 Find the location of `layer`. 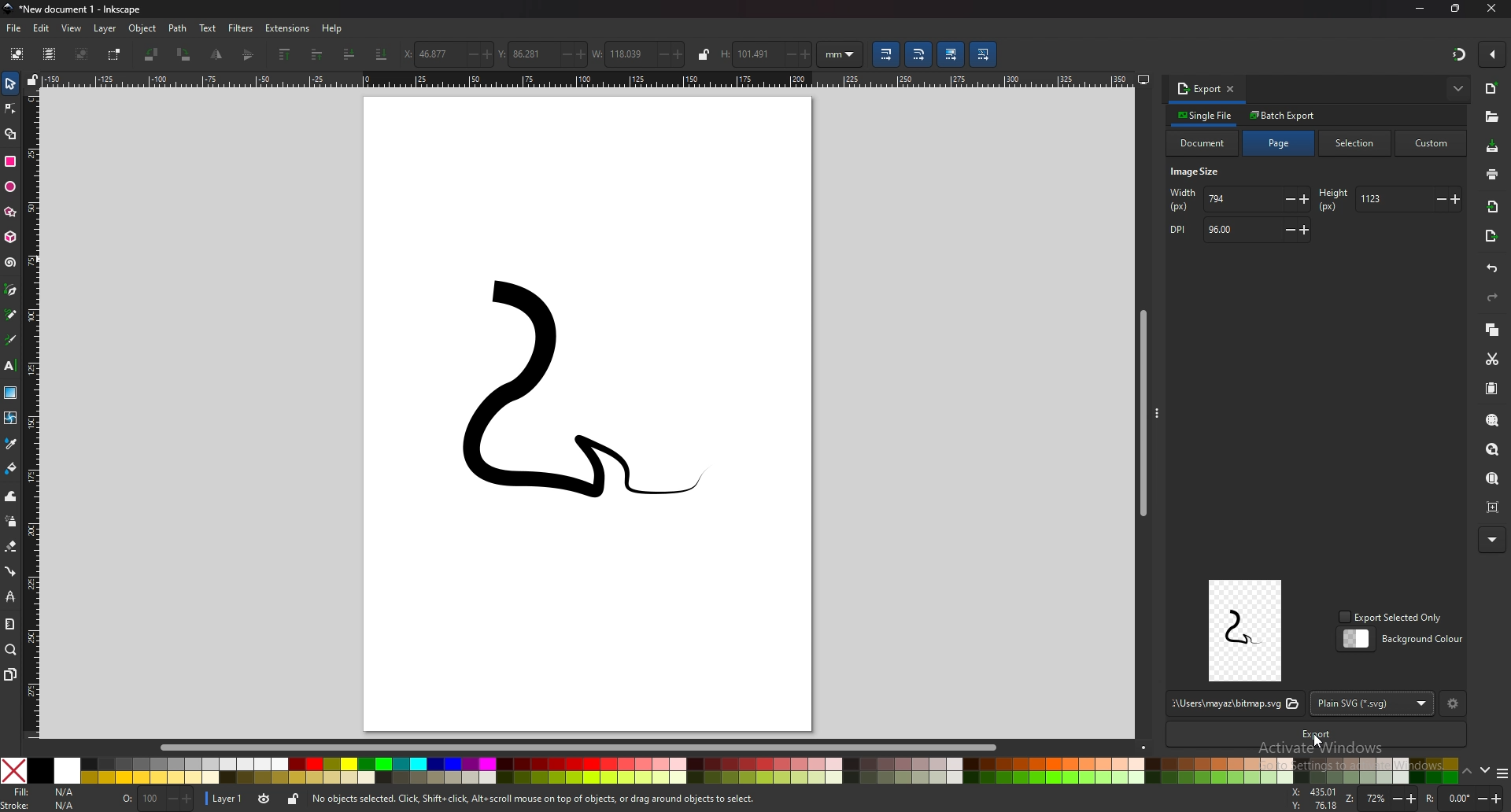

layer is located at coordinates (227, 797).